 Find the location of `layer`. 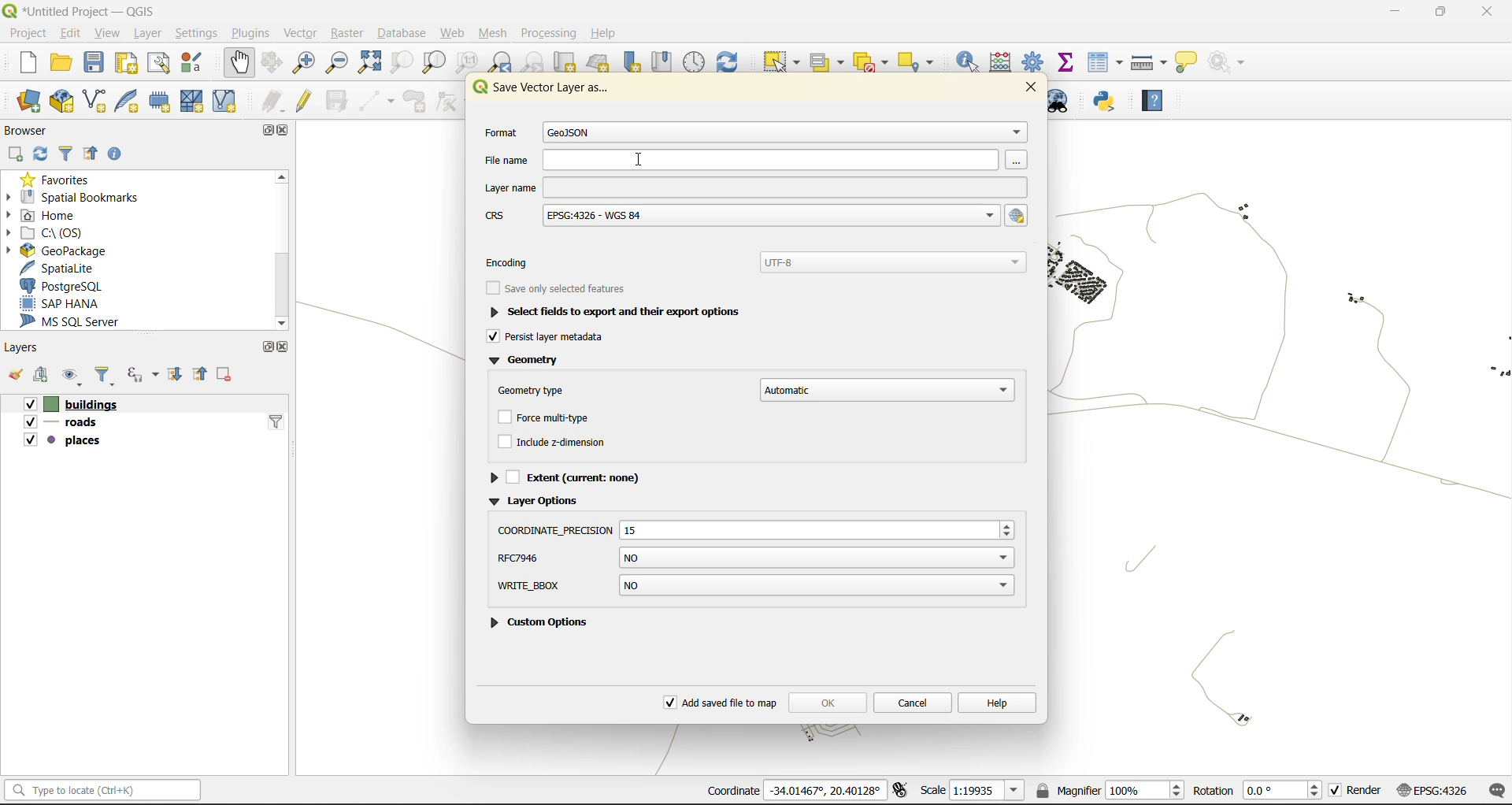

layer is located at coordinates (146, 34).